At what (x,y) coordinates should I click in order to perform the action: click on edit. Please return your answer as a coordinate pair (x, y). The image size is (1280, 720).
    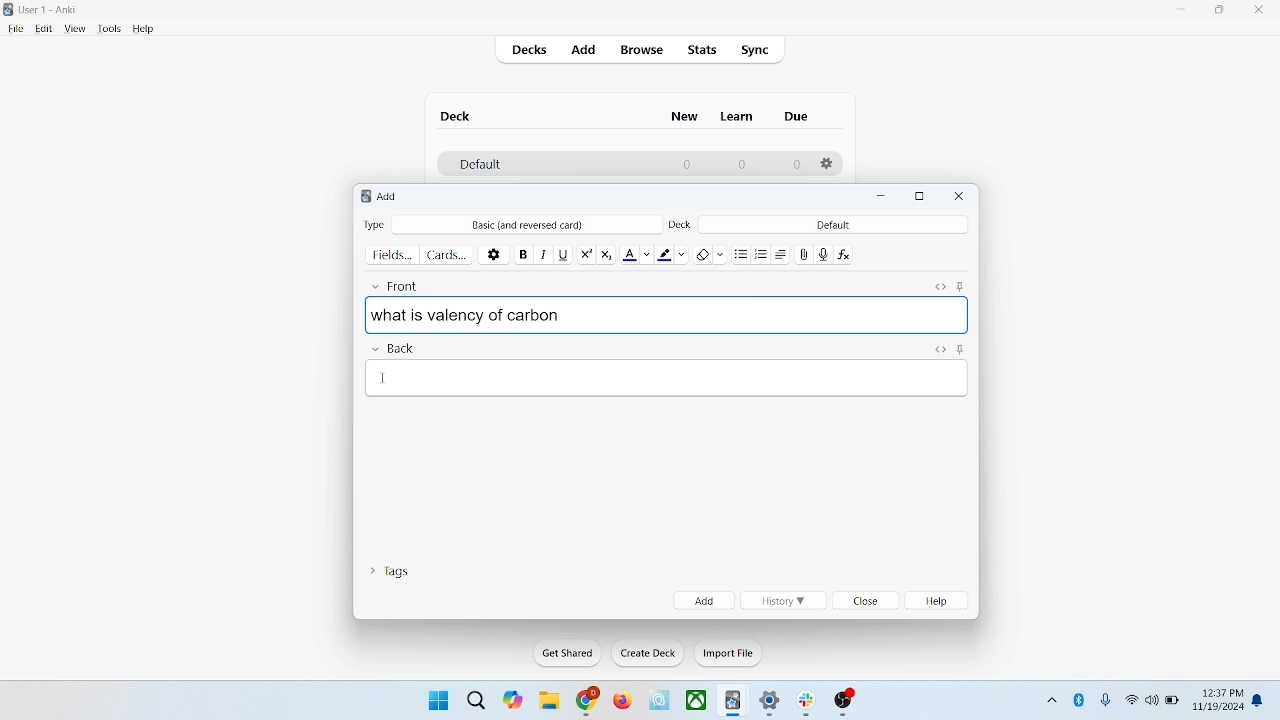
    Looking at the image, I should click on (45, 28).